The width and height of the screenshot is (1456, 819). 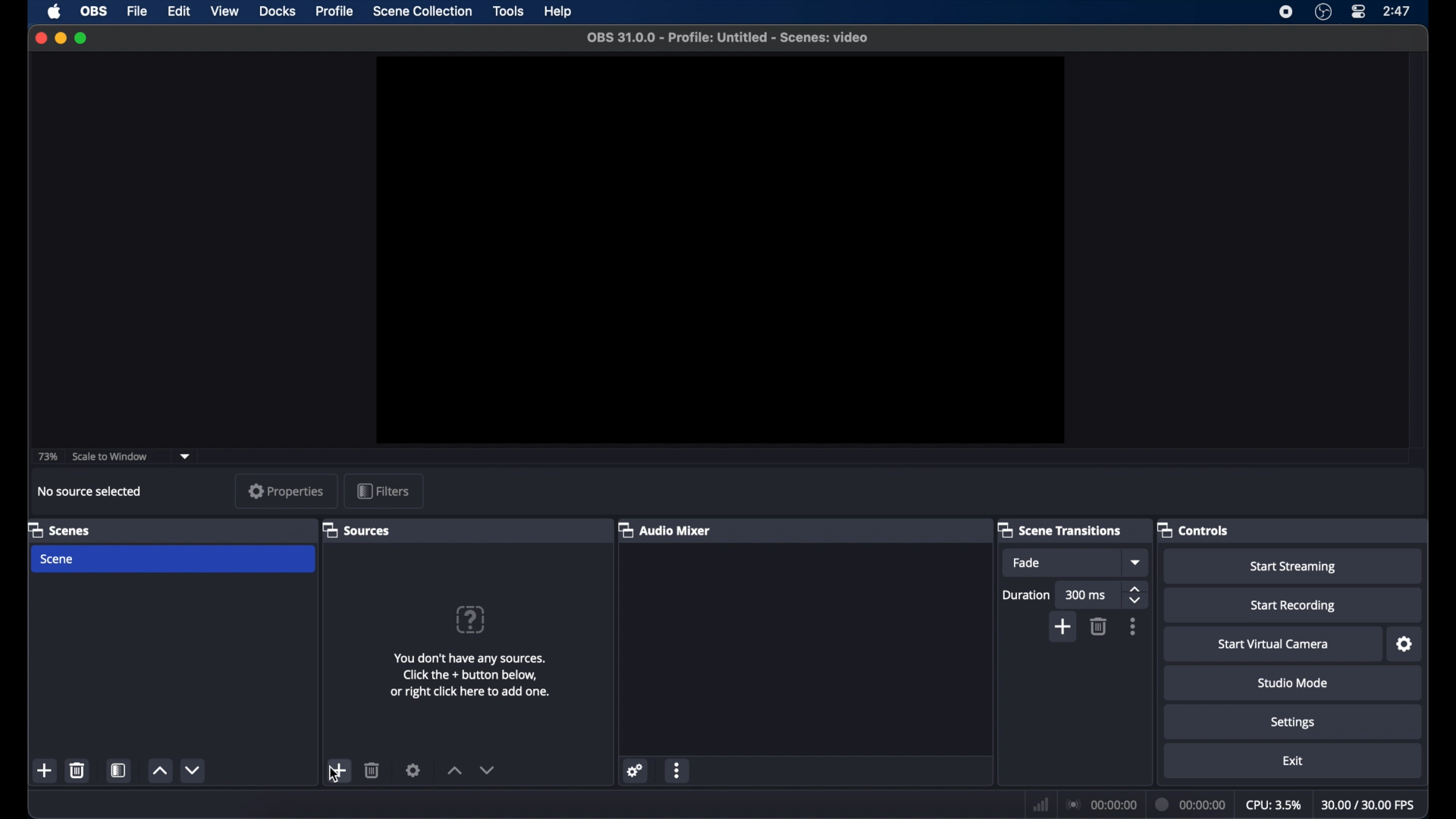 What do you see at coordinates (332, 782) in the screenshot?
I see `Cursor` at bounding box center [332, 782].